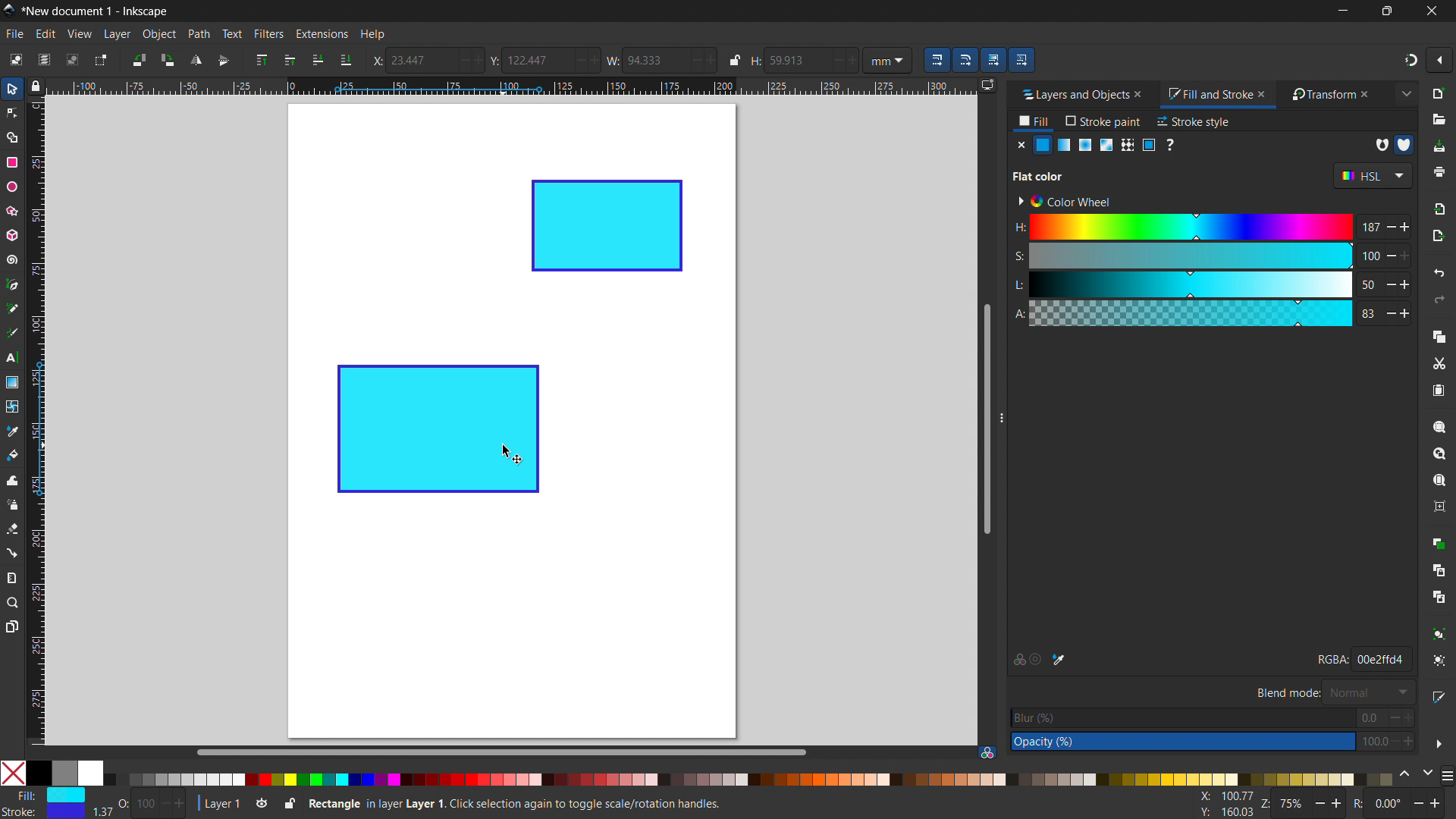 Image resolution: width=1456 pixels, height=819 pixels. What do you see at coordinates (937, 60) in the screenshot?
I see `when scaling objects, scale the stroke width by same proportion` at bounding box center [937, 60].